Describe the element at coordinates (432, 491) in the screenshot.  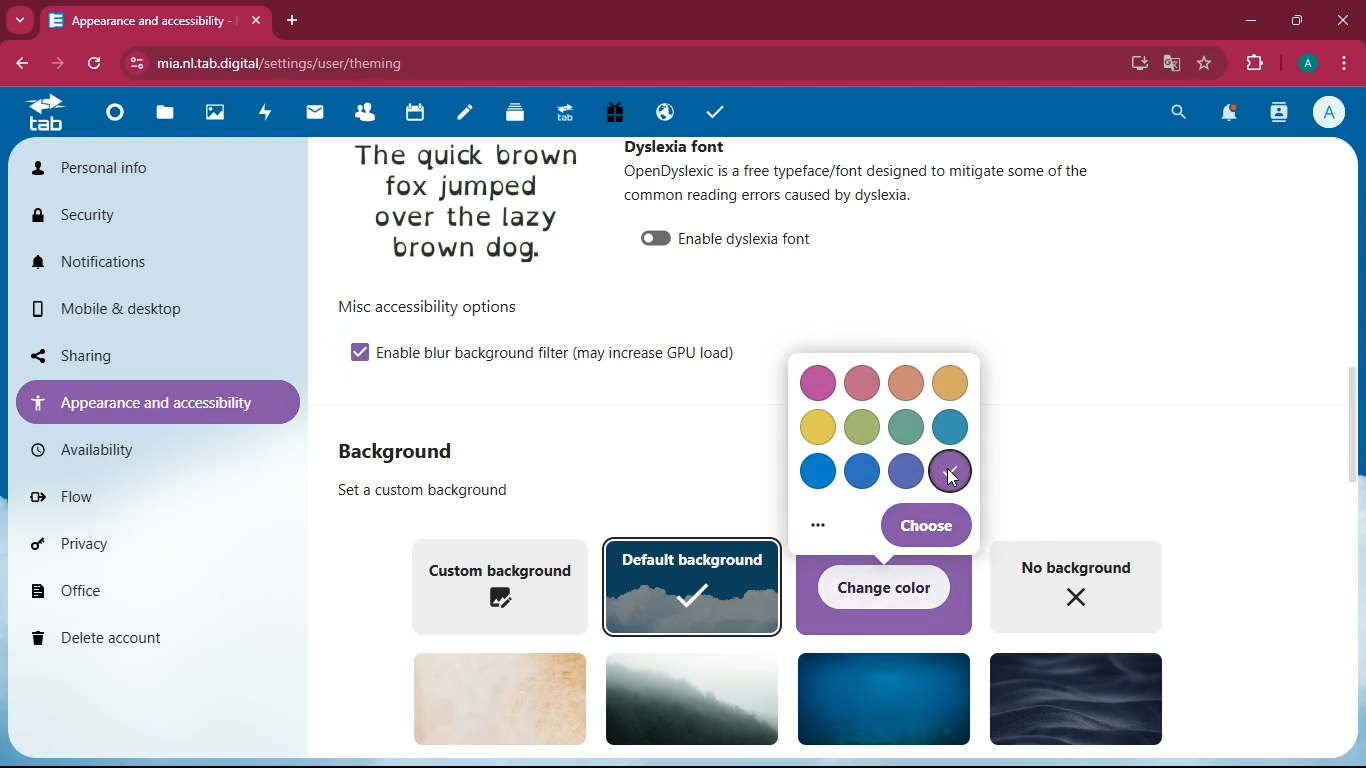
I see `background` at that location.